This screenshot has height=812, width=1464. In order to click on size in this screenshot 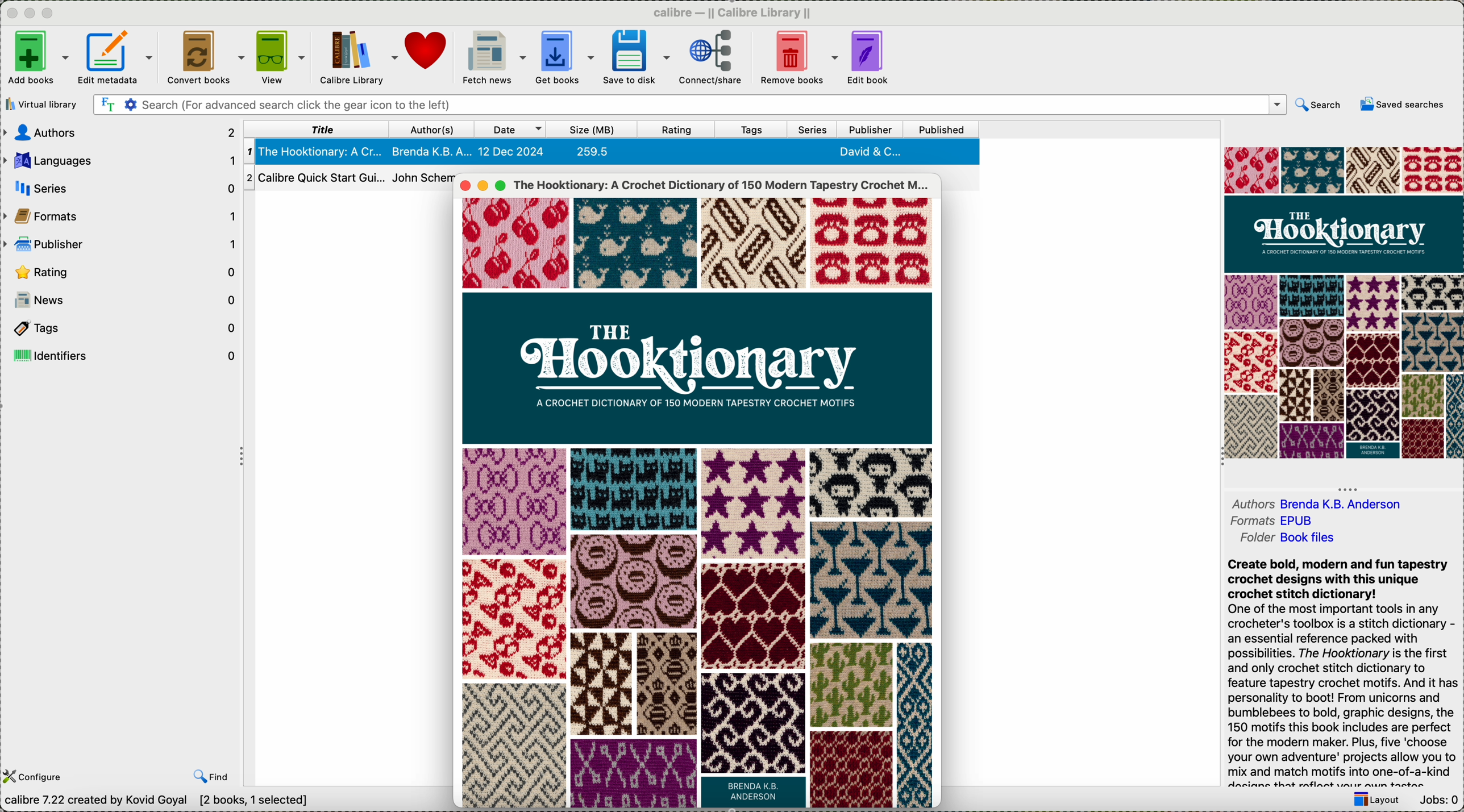, I will do `click(589, 130)`.